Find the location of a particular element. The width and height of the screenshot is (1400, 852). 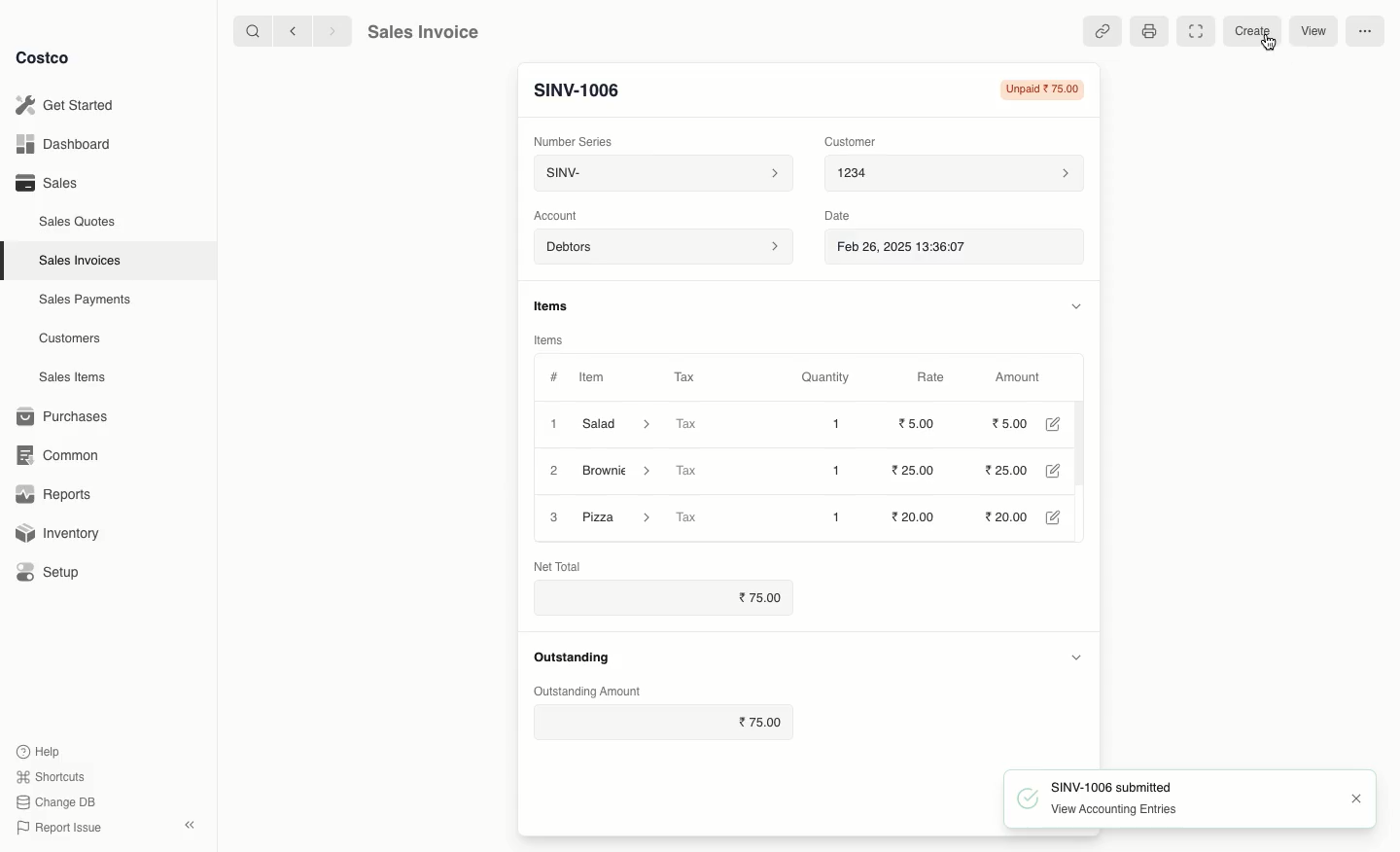

More options is located at coordinates (1363, 33).